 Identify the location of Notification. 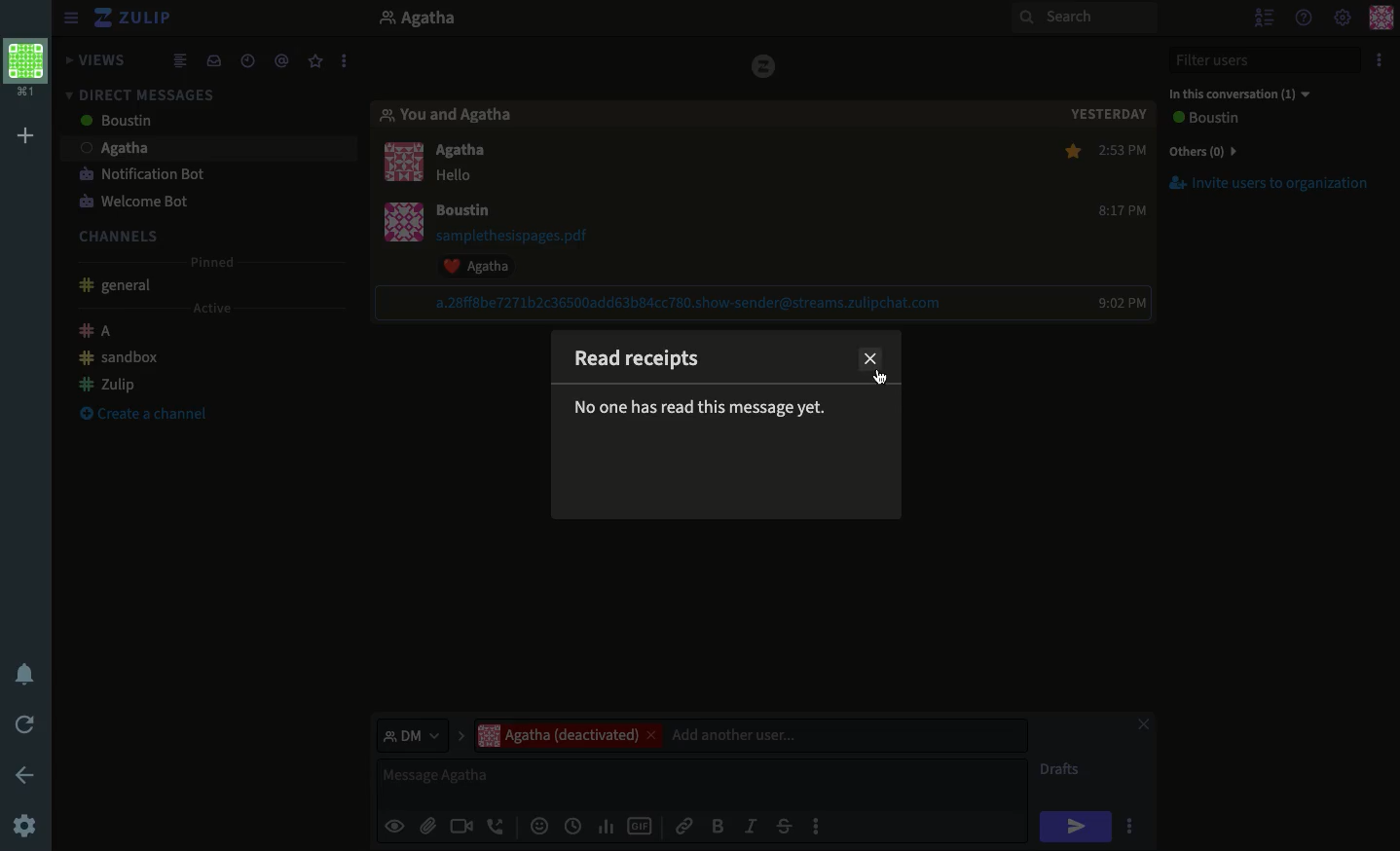
(28, 674).